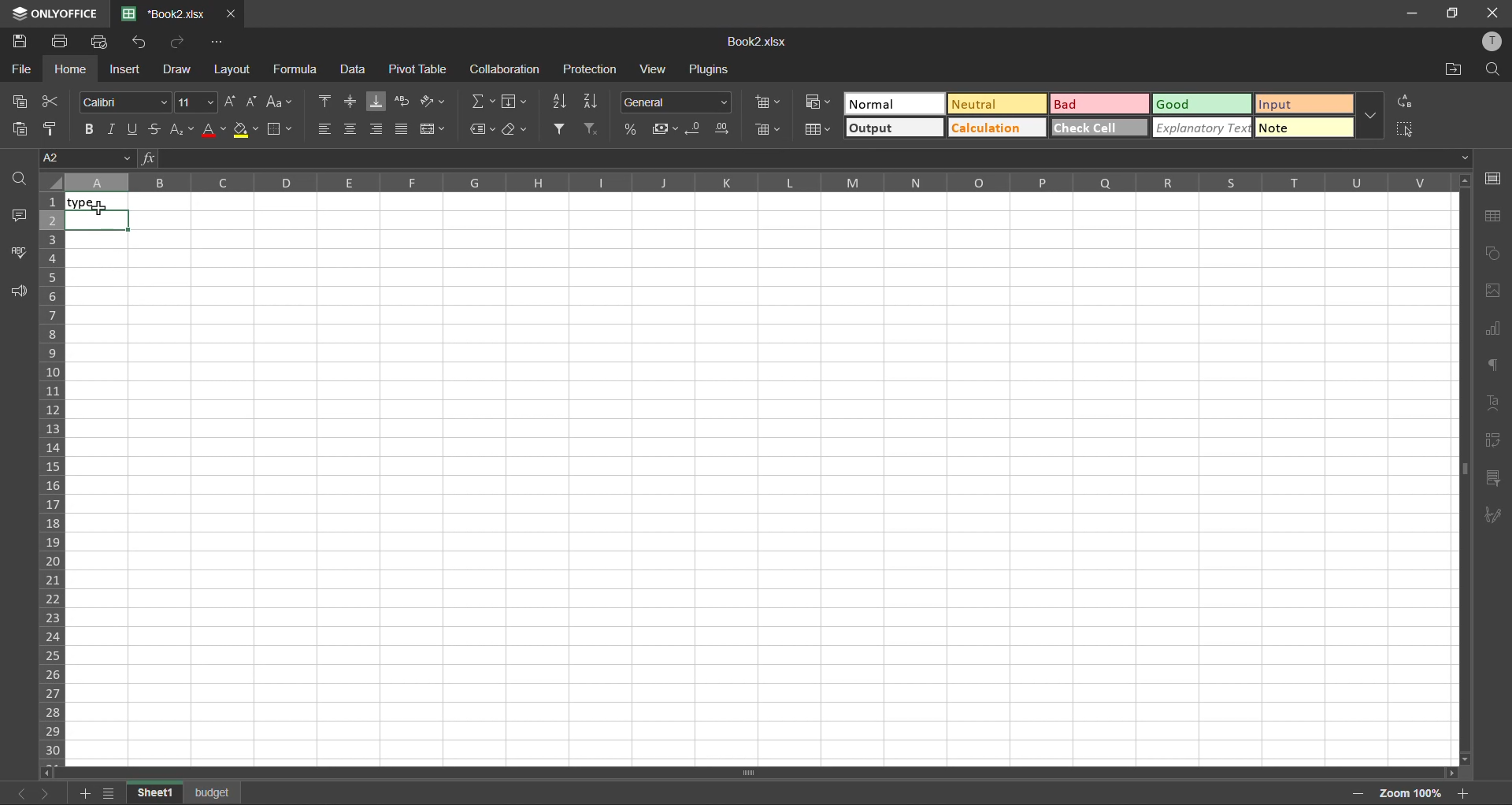 Image resolution: width=1512 pixels, height=805 pixels. What do you see at coordinates (724, 128) in the screenshot?
I see `increase decimal` at bounding box center [724, 128].